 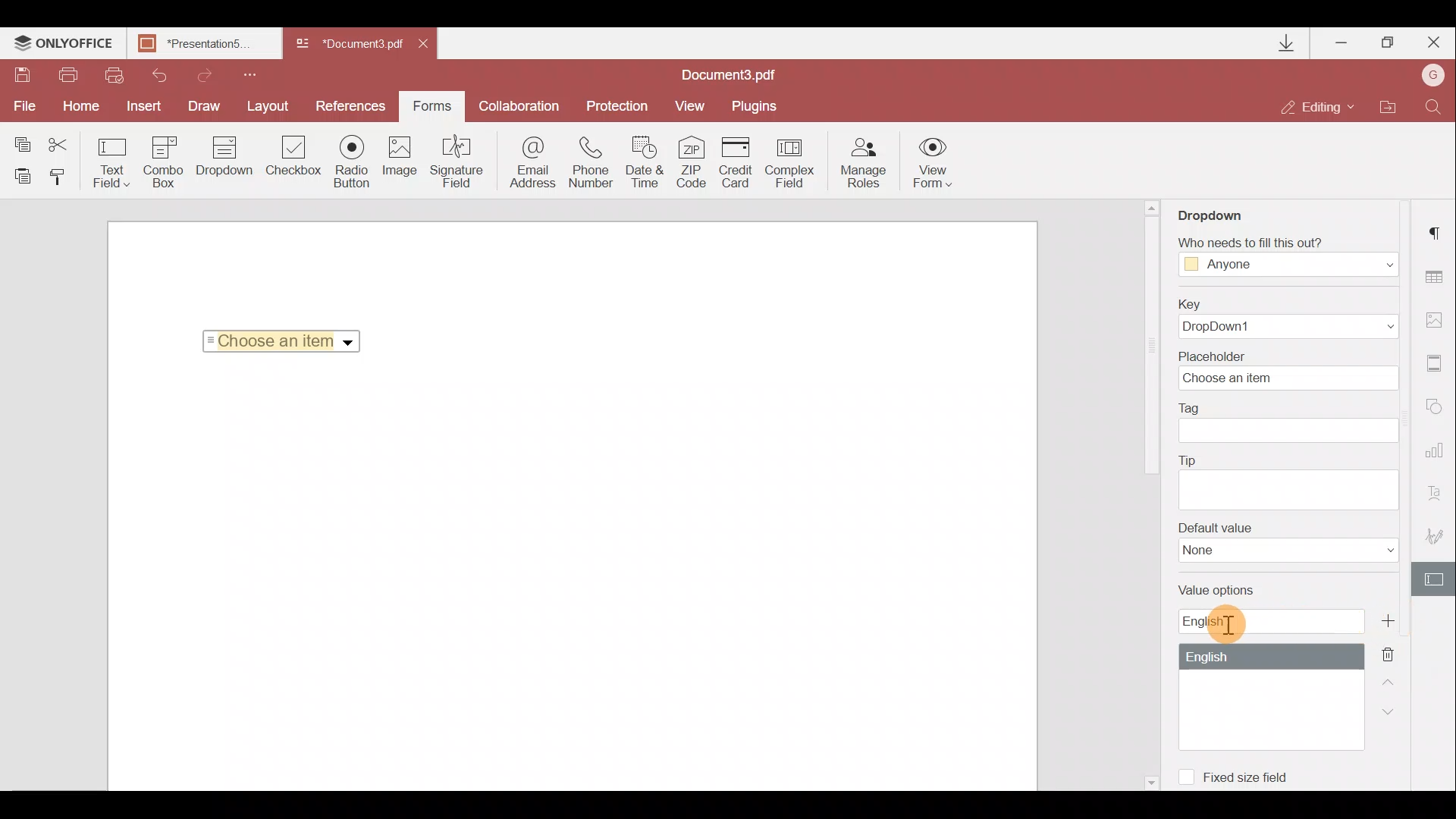 What do you see at coordinates (164, 159) in the screenshot?
I see `Combo box` at bounding box center [164, 159].